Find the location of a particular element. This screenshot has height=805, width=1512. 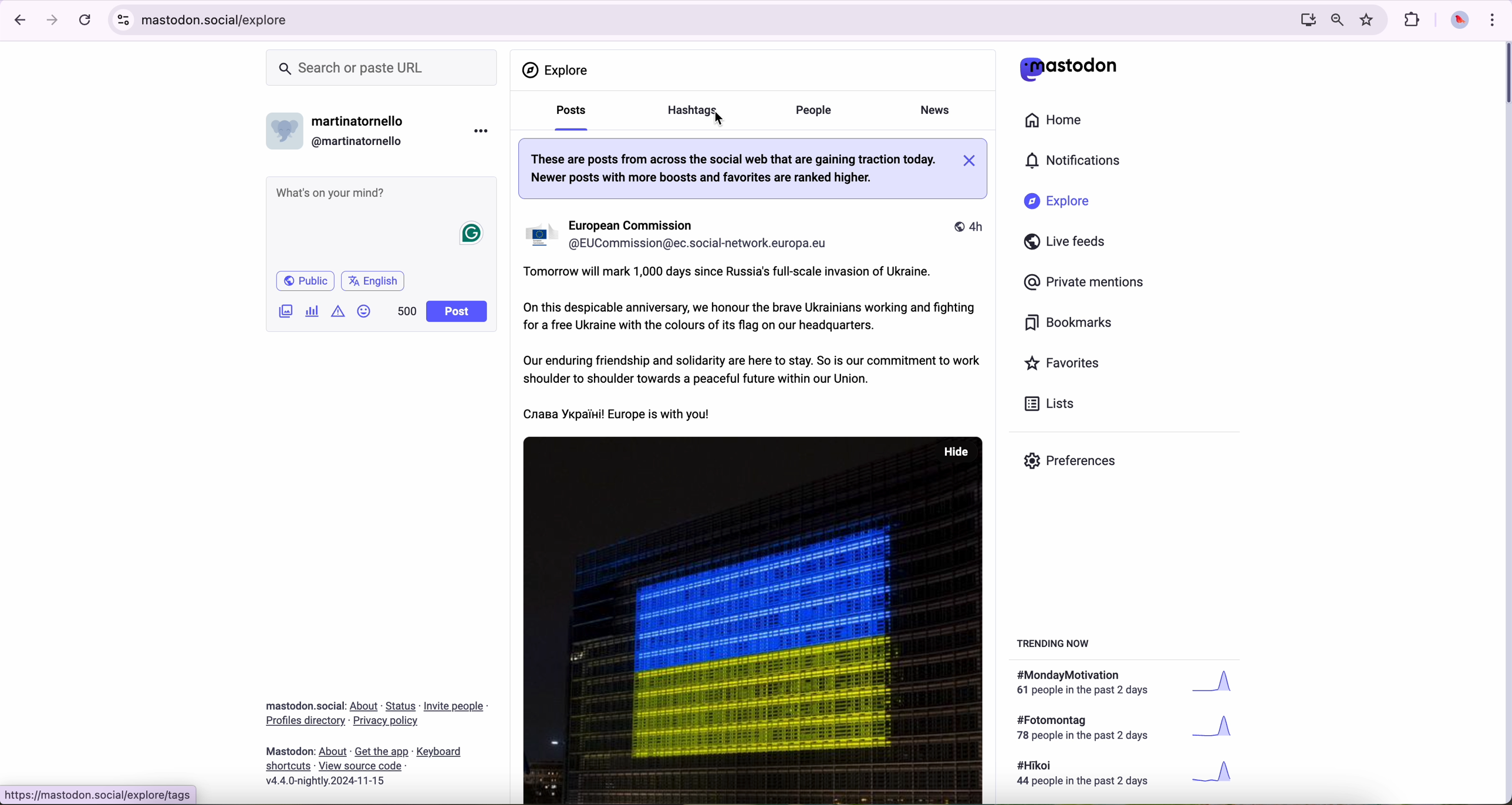

notifications is located at coordinates (1077, 161).